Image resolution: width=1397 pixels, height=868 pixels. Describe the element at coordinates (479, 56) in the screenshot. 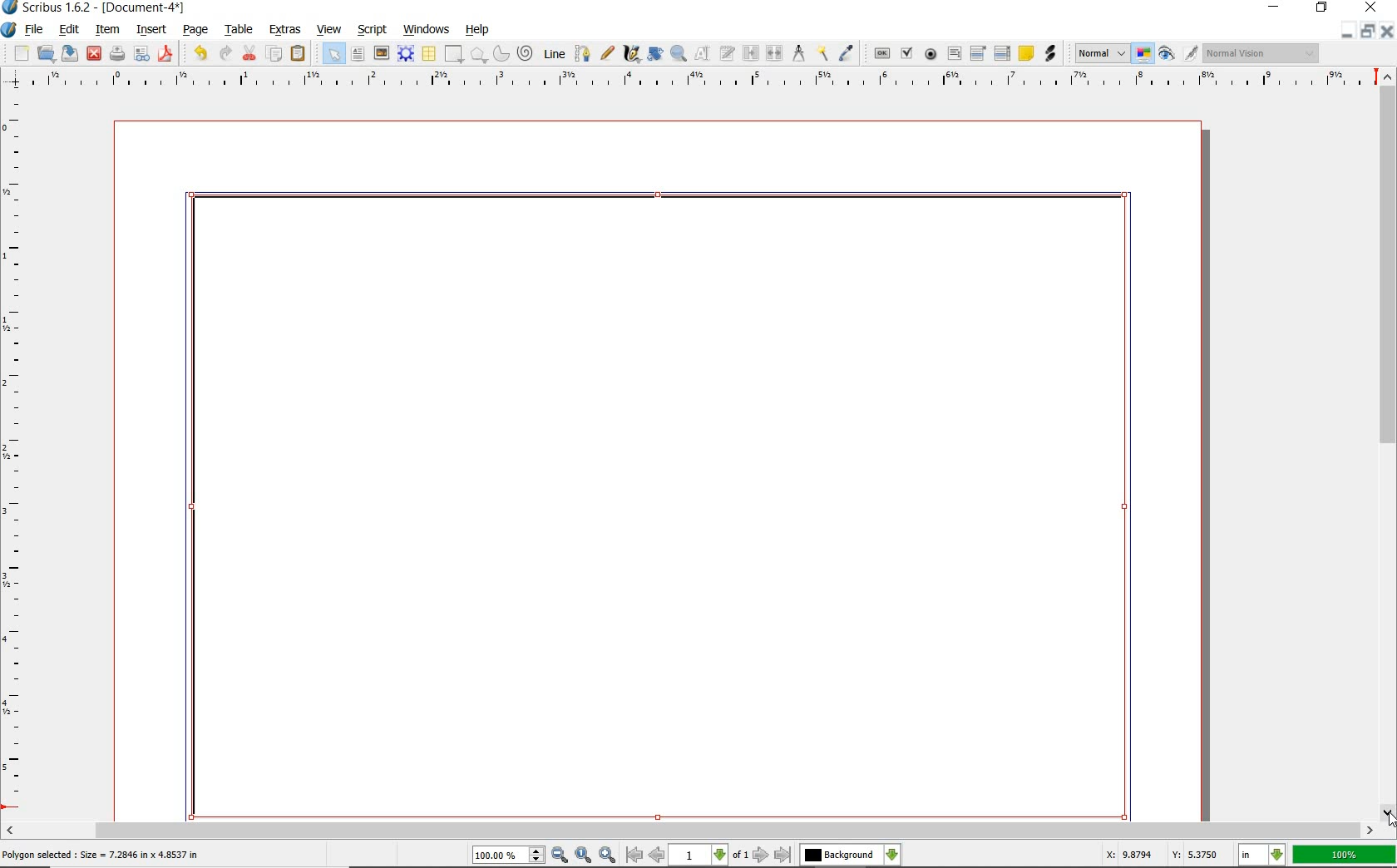

I see `polygon` at that location.